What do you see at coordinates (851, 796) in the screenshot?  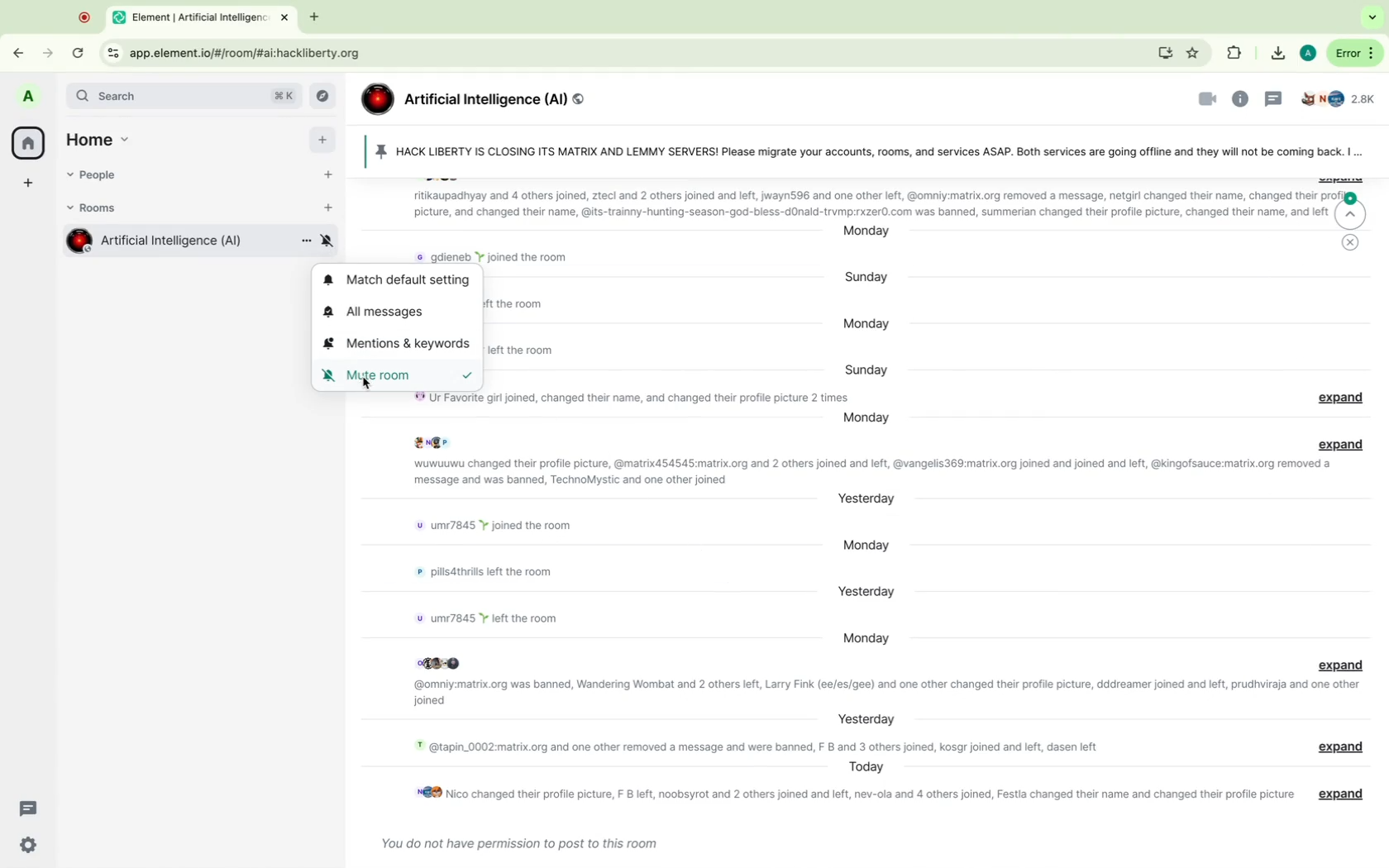 I see `message` at bounding box center [851, 796].